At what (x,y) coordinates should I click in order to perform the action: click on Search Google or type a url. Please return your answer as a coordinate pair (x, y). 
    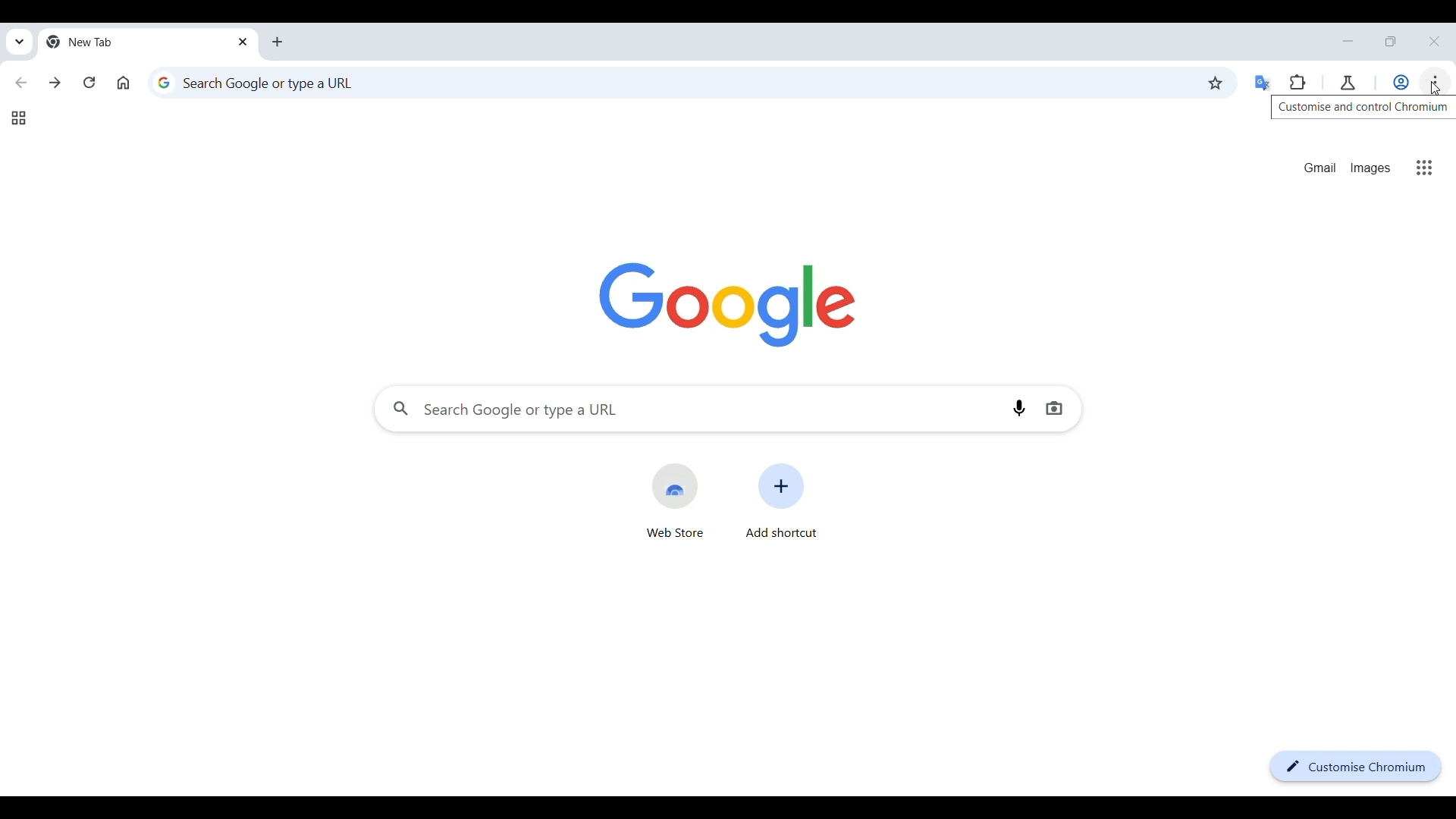
    Looking at the image, I should click on (670, 82).